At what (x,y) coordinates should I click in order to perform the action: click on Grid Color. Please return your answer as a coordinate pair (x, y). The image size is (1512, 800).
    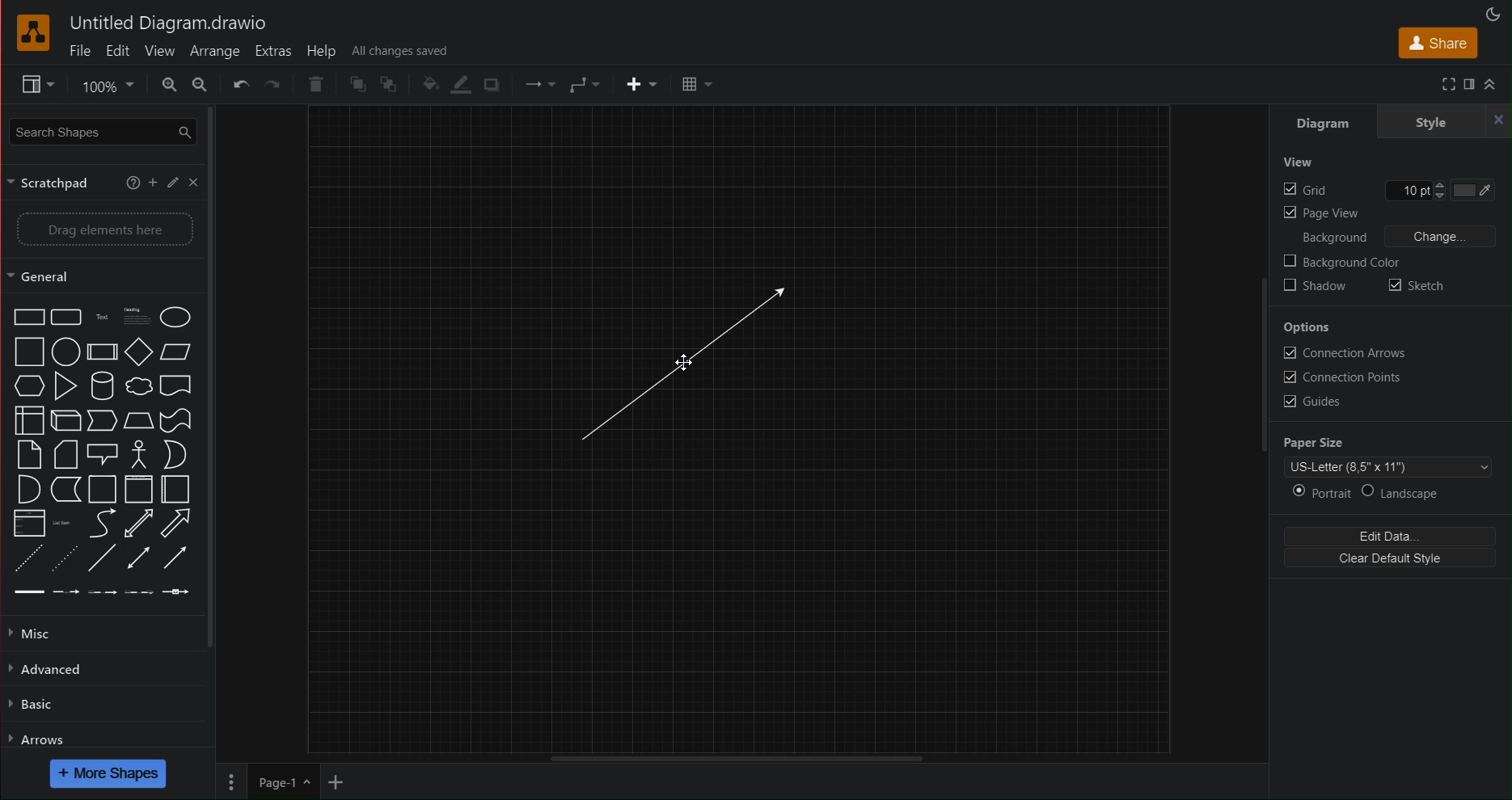
    Looking at the image, I should click on (1483, 192).